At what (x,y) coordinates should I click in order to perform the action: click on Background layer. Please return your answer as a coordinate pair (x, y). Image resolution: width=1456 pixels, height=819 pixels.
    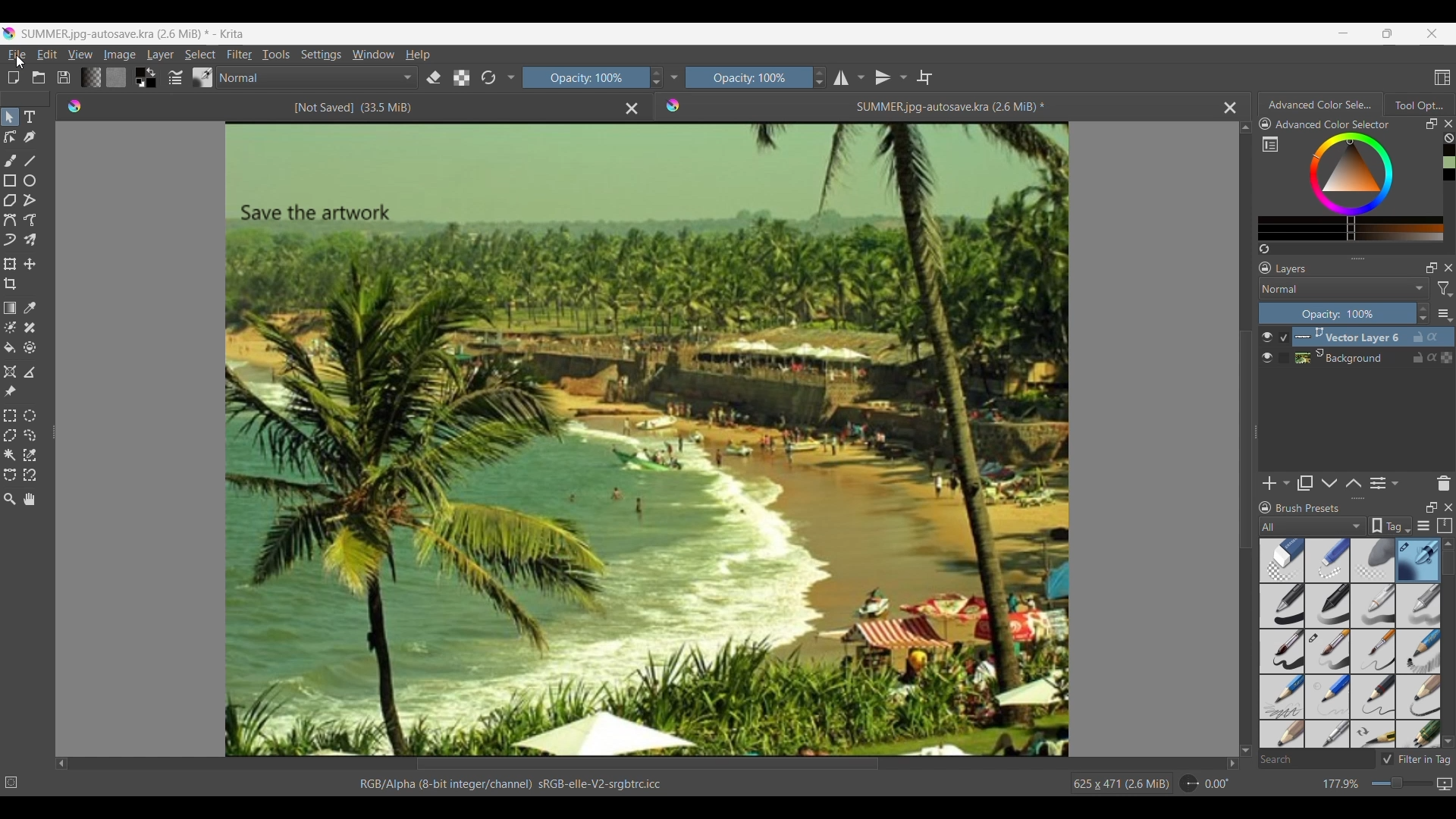
    Looking at the image, I should click on (1373, 357).